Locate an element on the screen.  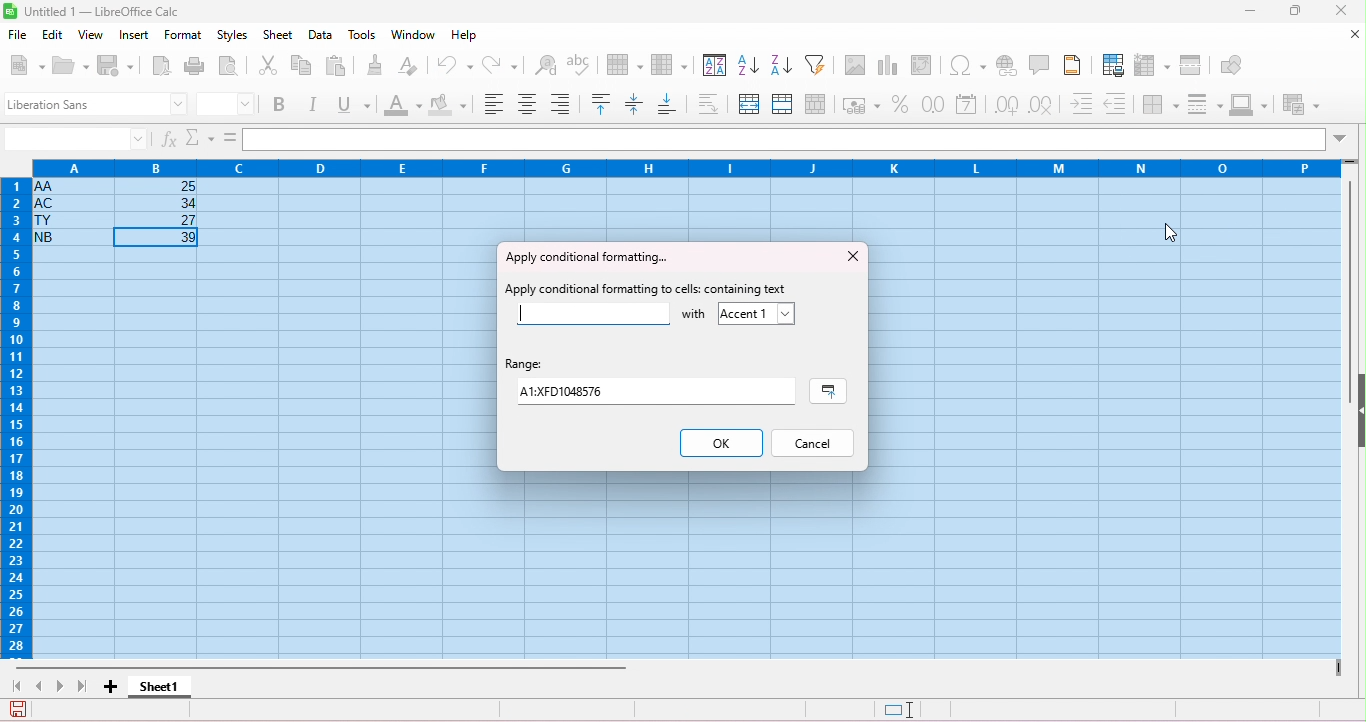
save is located at coordinates (116, 64).